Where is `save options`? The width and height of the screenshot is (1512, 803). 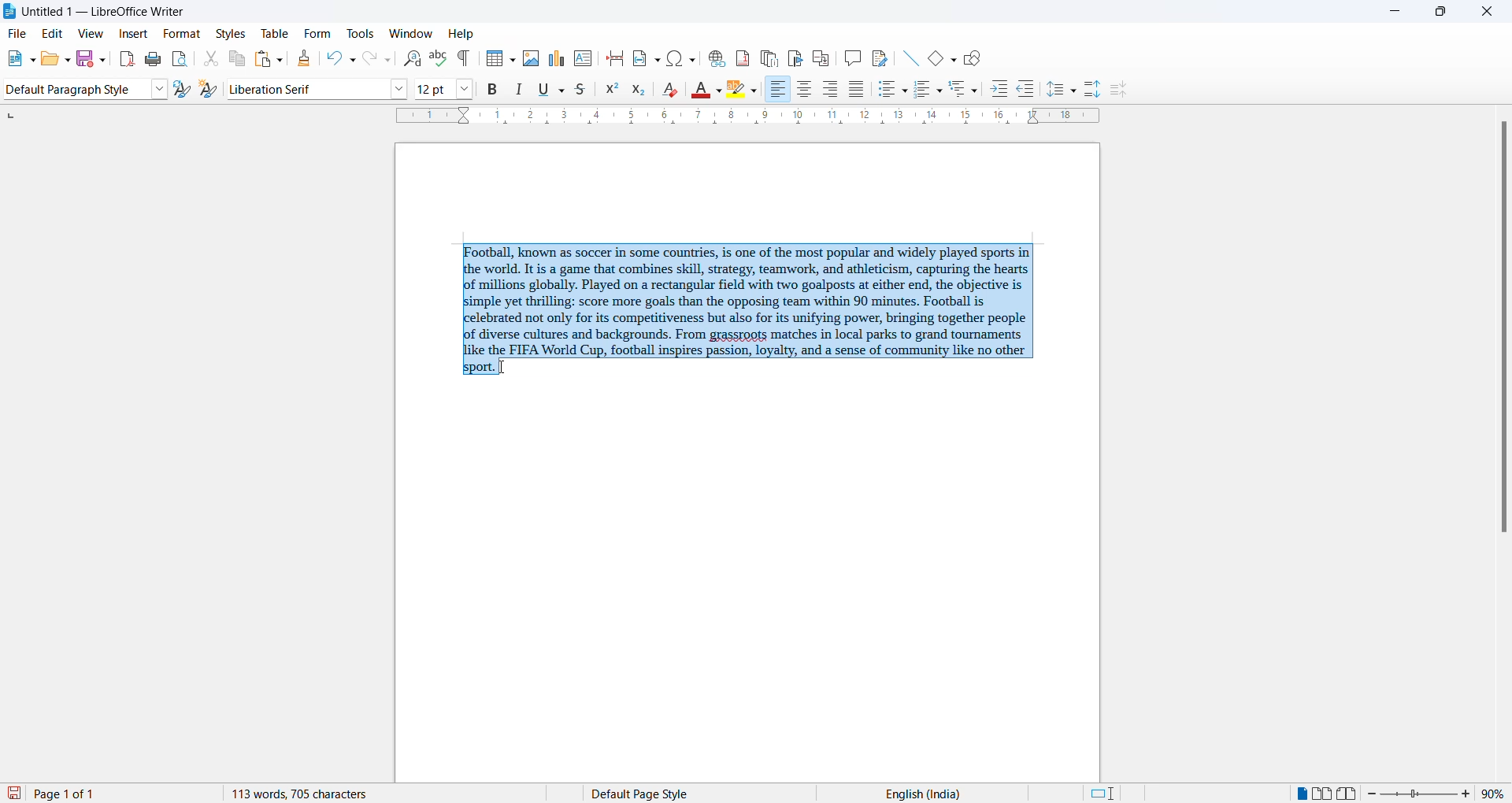
save options is located at coordinates (101, 62).